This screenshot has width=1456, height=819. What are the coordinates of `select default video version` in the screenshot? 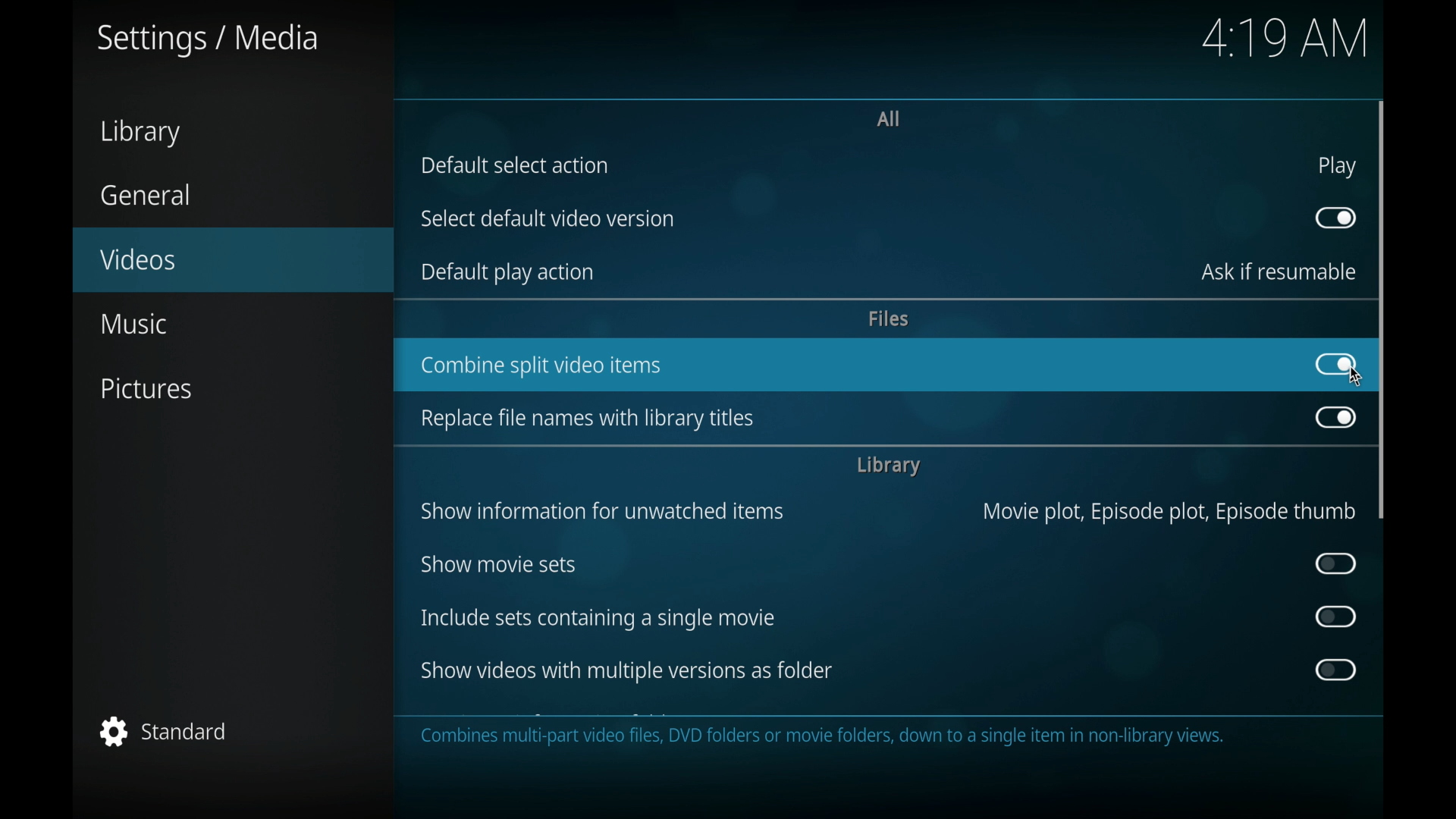 It's located at (547, 218).